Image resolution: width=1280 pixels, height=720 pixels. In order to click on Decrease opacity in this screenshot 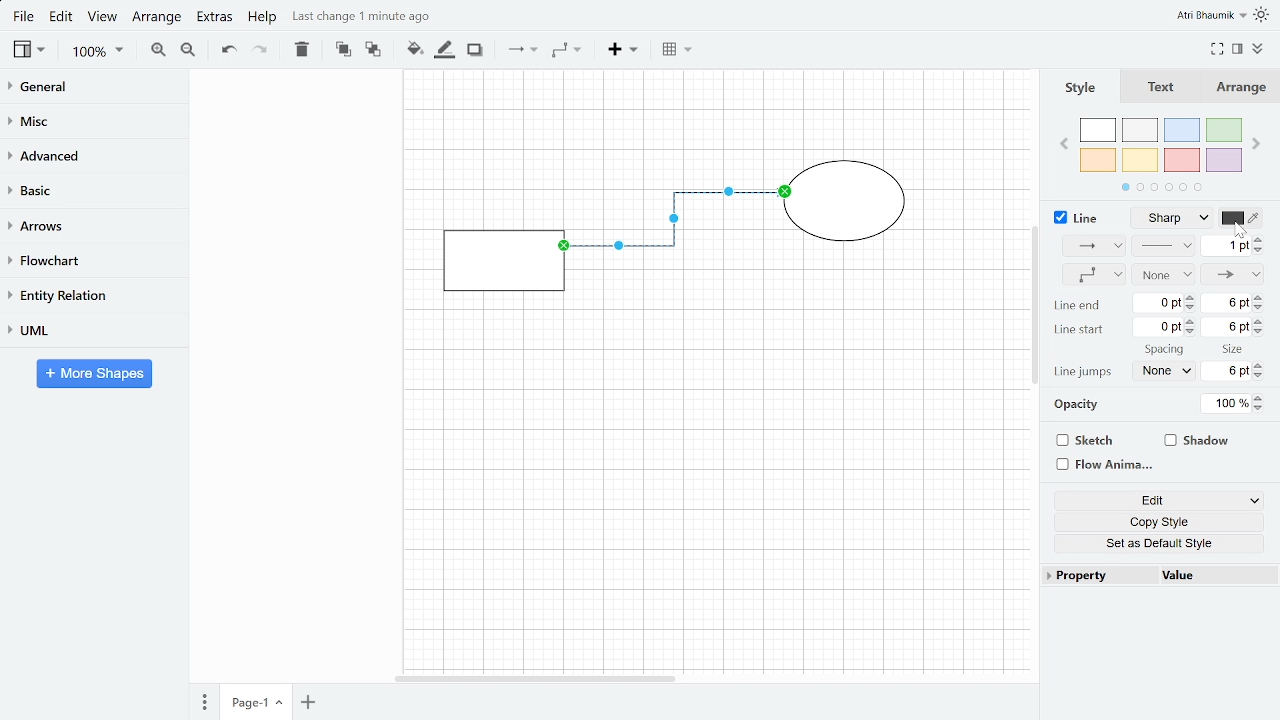, I will do `click(1262, 410)`.